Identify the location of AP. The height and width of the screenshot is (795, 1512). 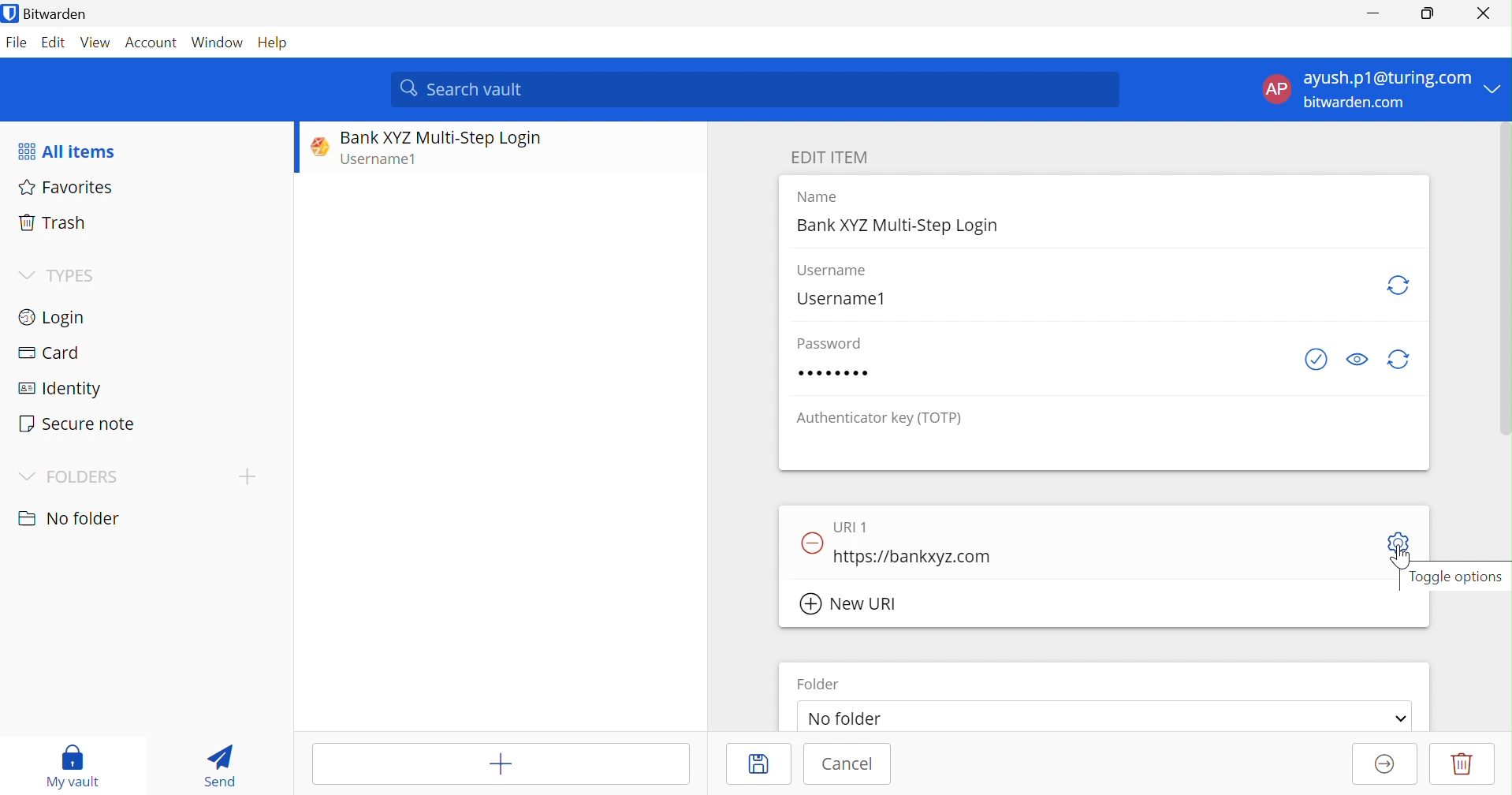
(1281, 89).